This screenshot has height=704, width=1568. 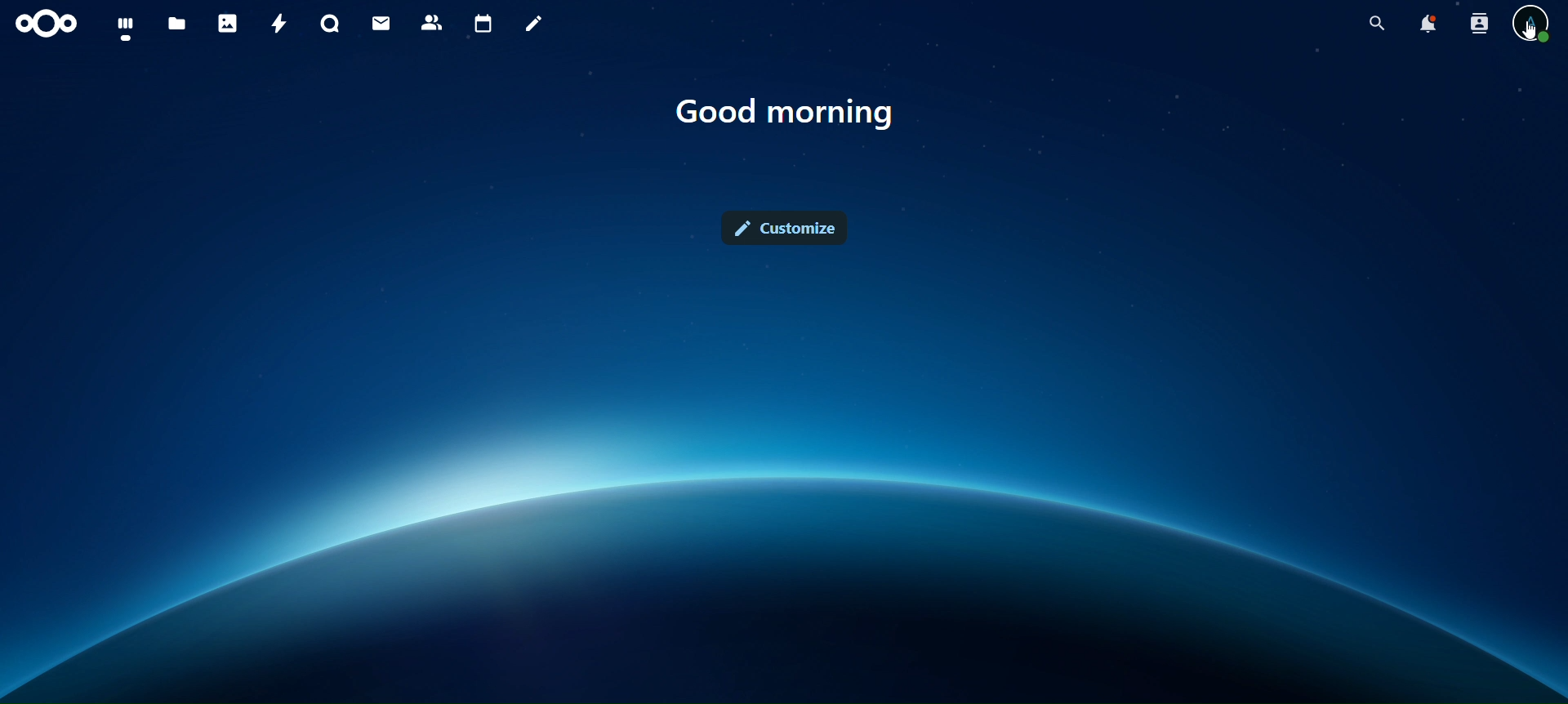 What do you see at coordinates (48, 24) in the screenshot?
I see `icon` at bounding box center [48, 24].